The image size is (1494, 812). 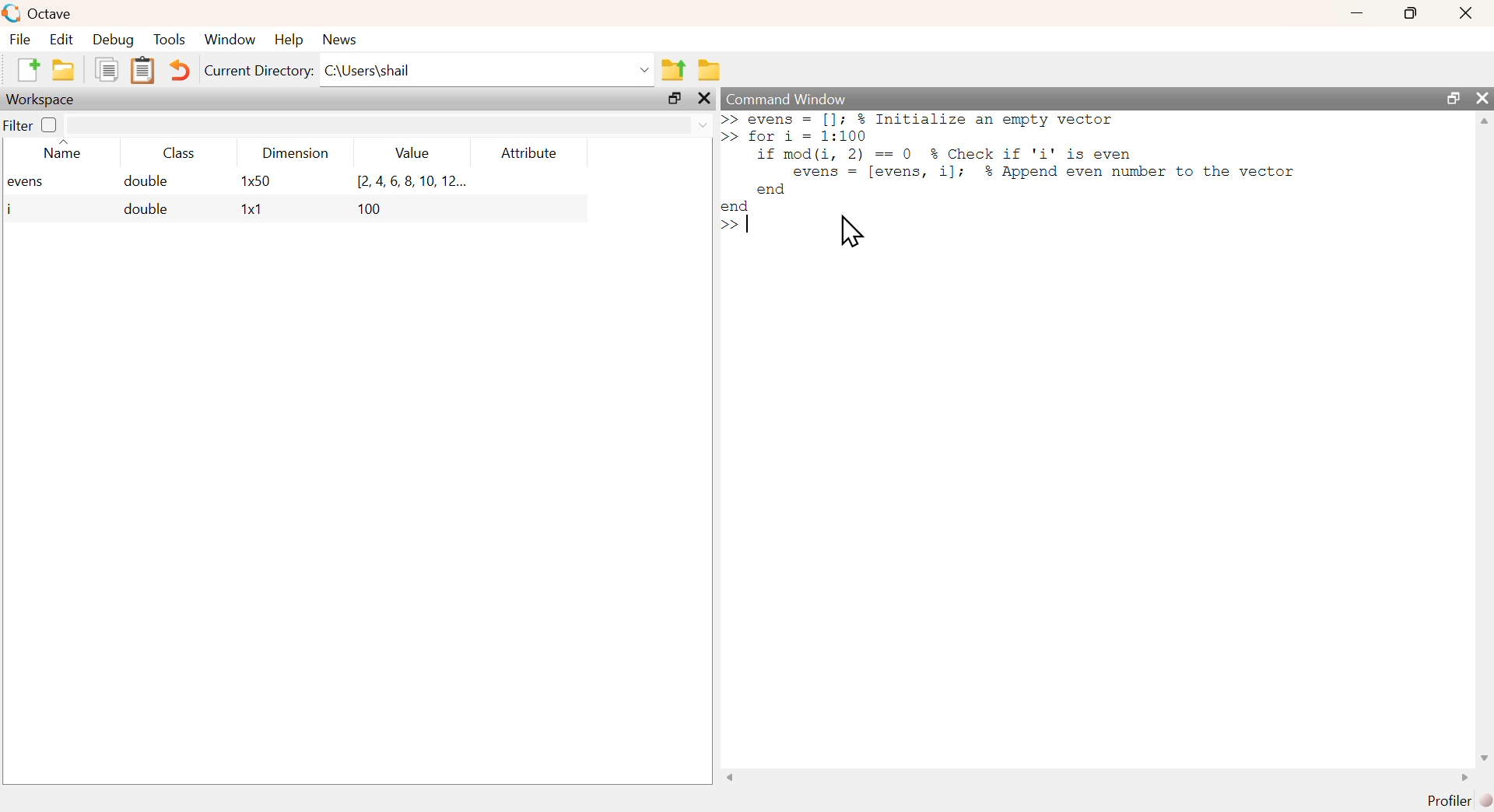 What do you see at coordinates (408, 155) in the screenshot?
I see `value` at bounding box center [408, 155].